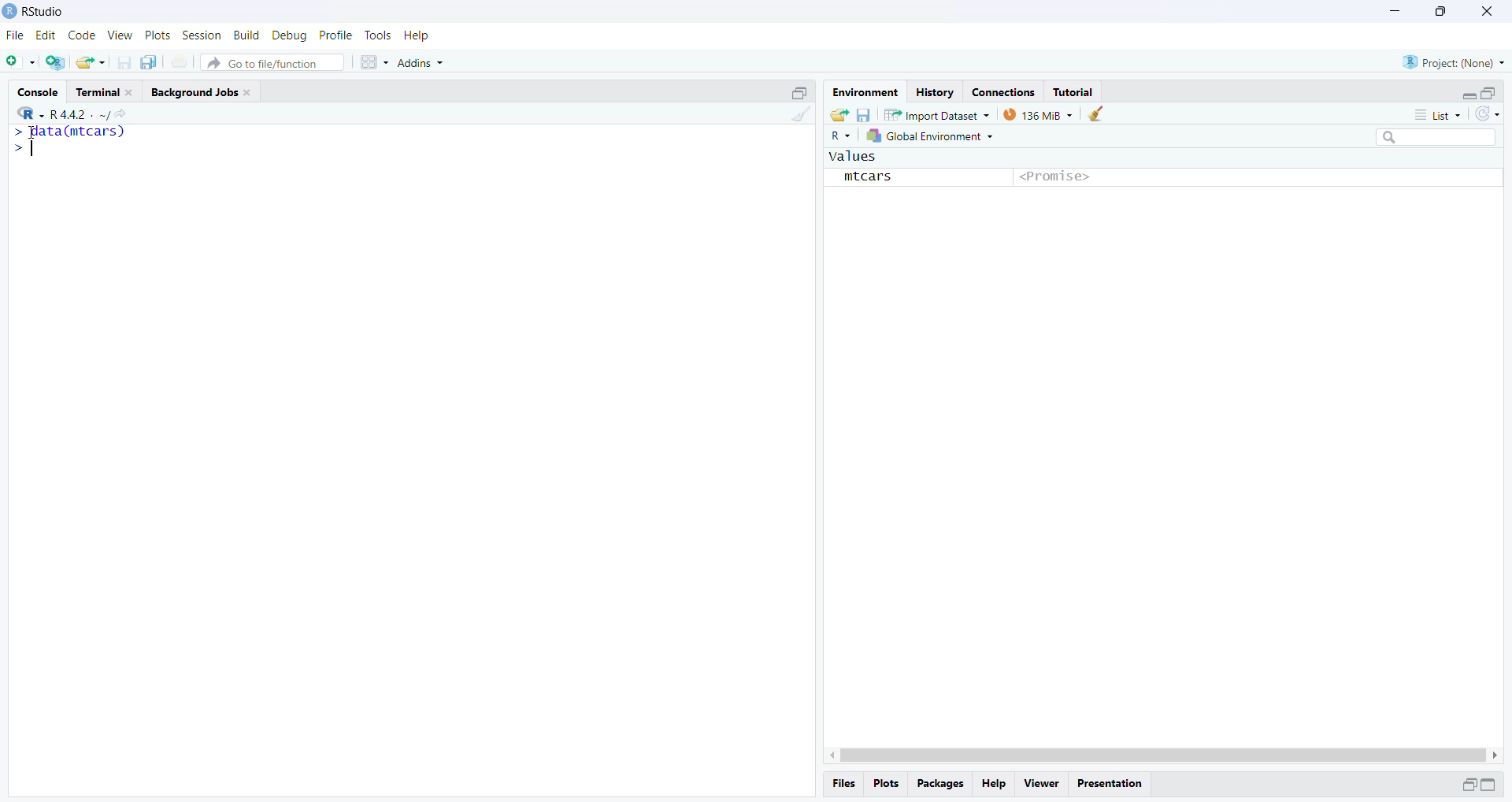  What do you see at coordinates (336, 35) in the screenshot?
I see `Profile` at bounding box center [336, 35].